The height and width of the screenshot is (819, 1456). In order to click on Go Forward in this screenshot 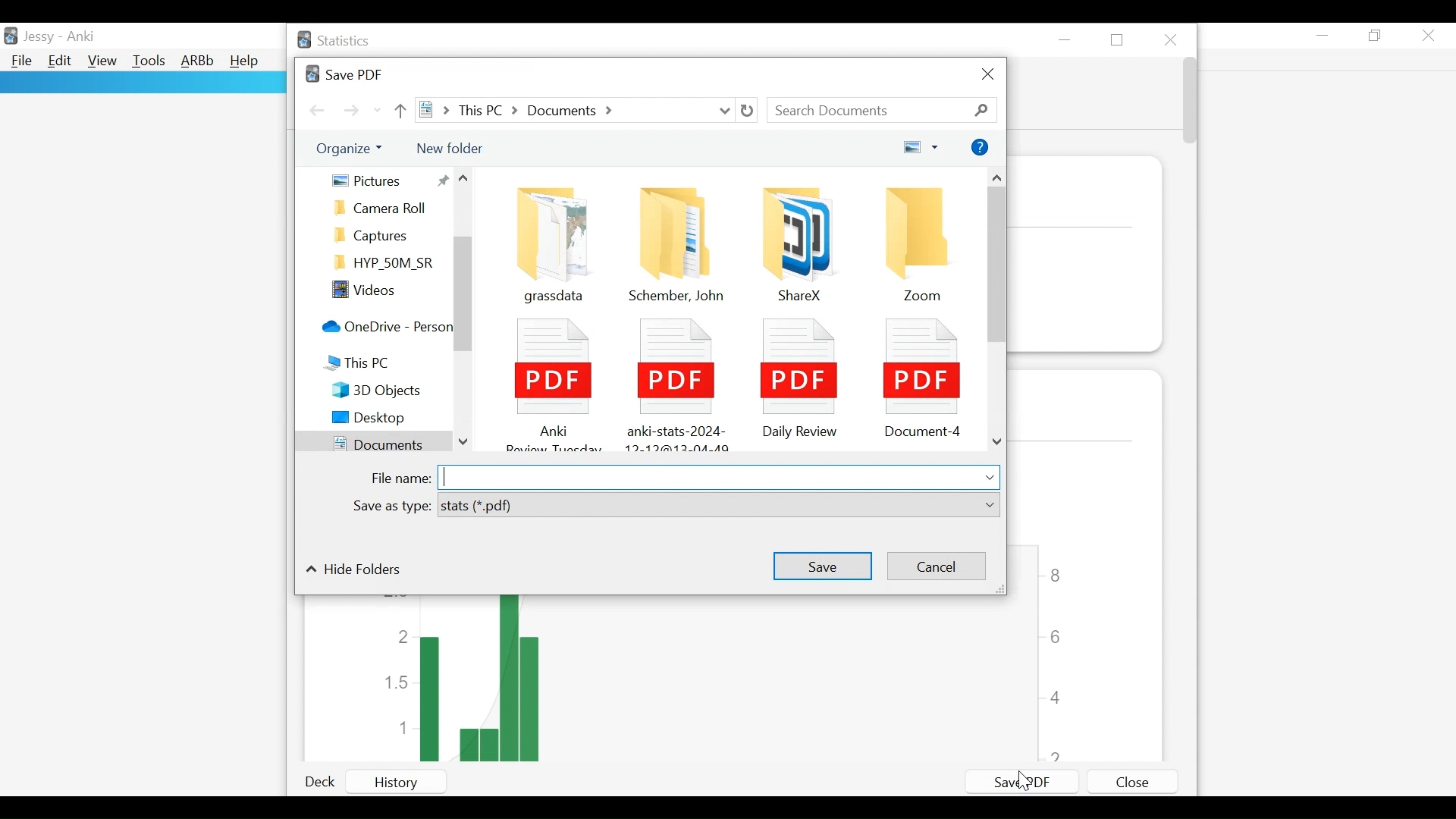, I will do `click(352, 111)`.